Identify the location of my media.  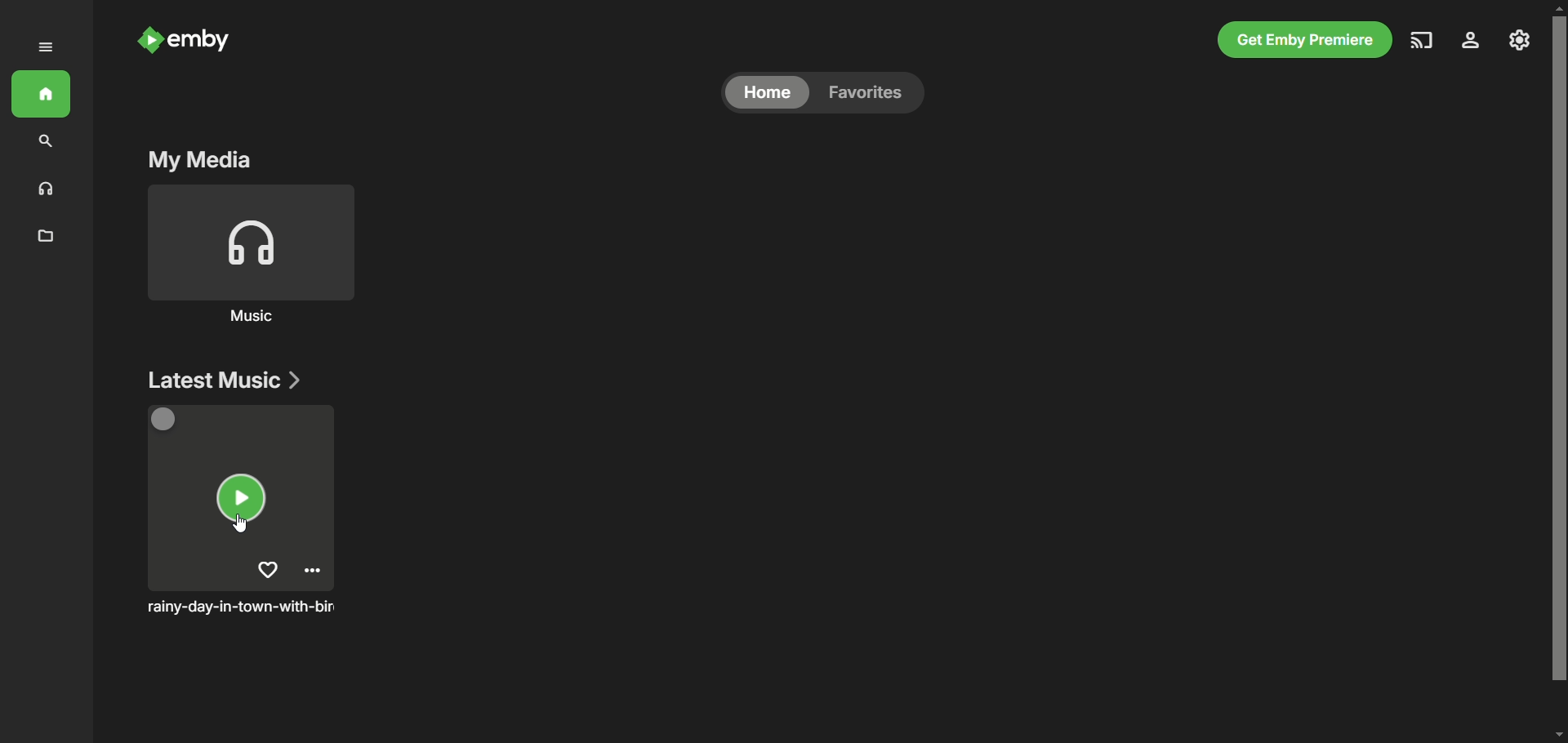
(194, 160).